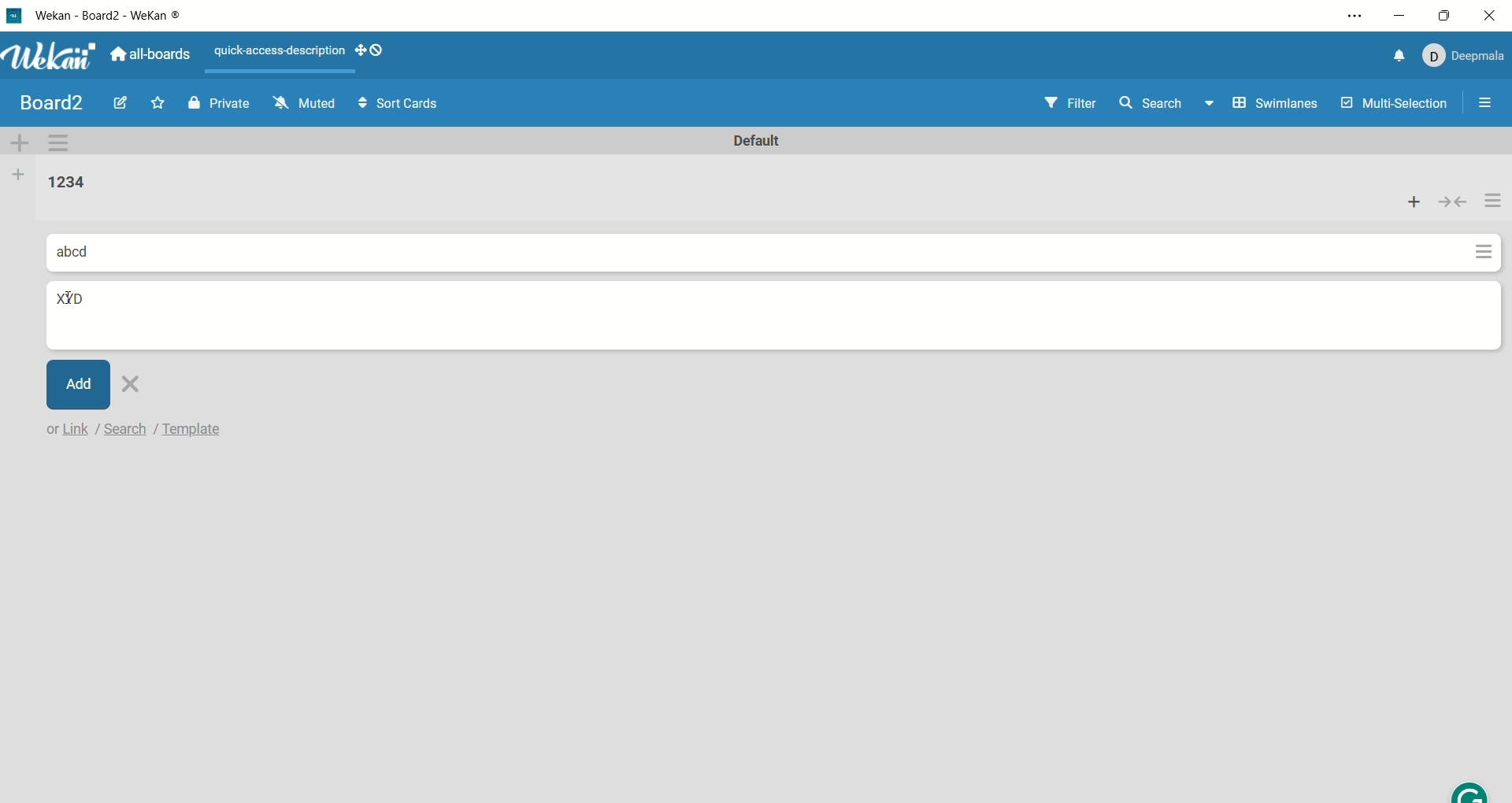 The width and height of the screenshot is (1512, 803). Describe the element at coordinates (117, 16) in the screenshot. I see `wekan-wekan` at that location.